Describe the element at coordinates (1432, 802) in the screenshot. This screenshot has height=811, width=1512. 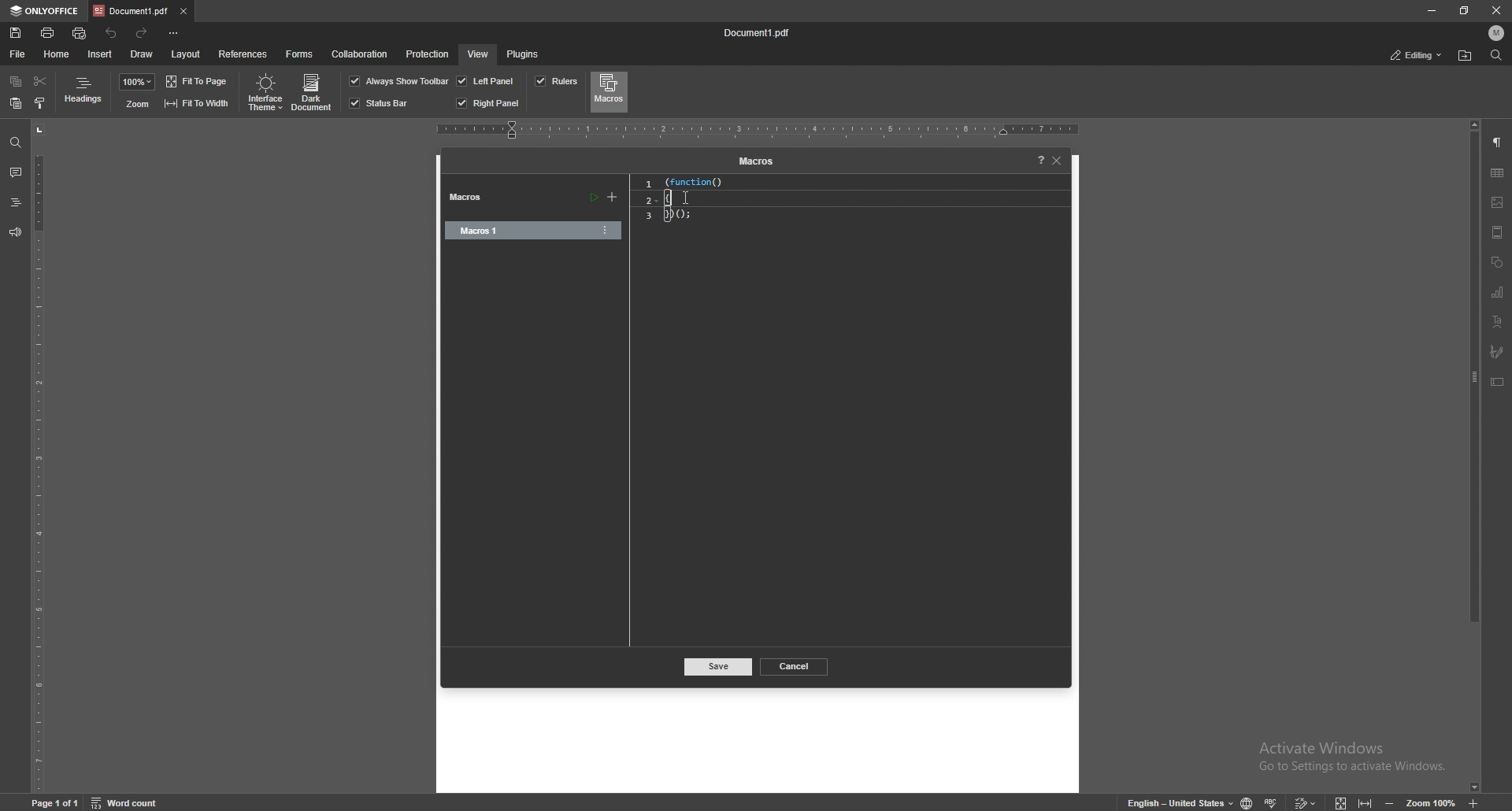
I see `zoom` at that location.